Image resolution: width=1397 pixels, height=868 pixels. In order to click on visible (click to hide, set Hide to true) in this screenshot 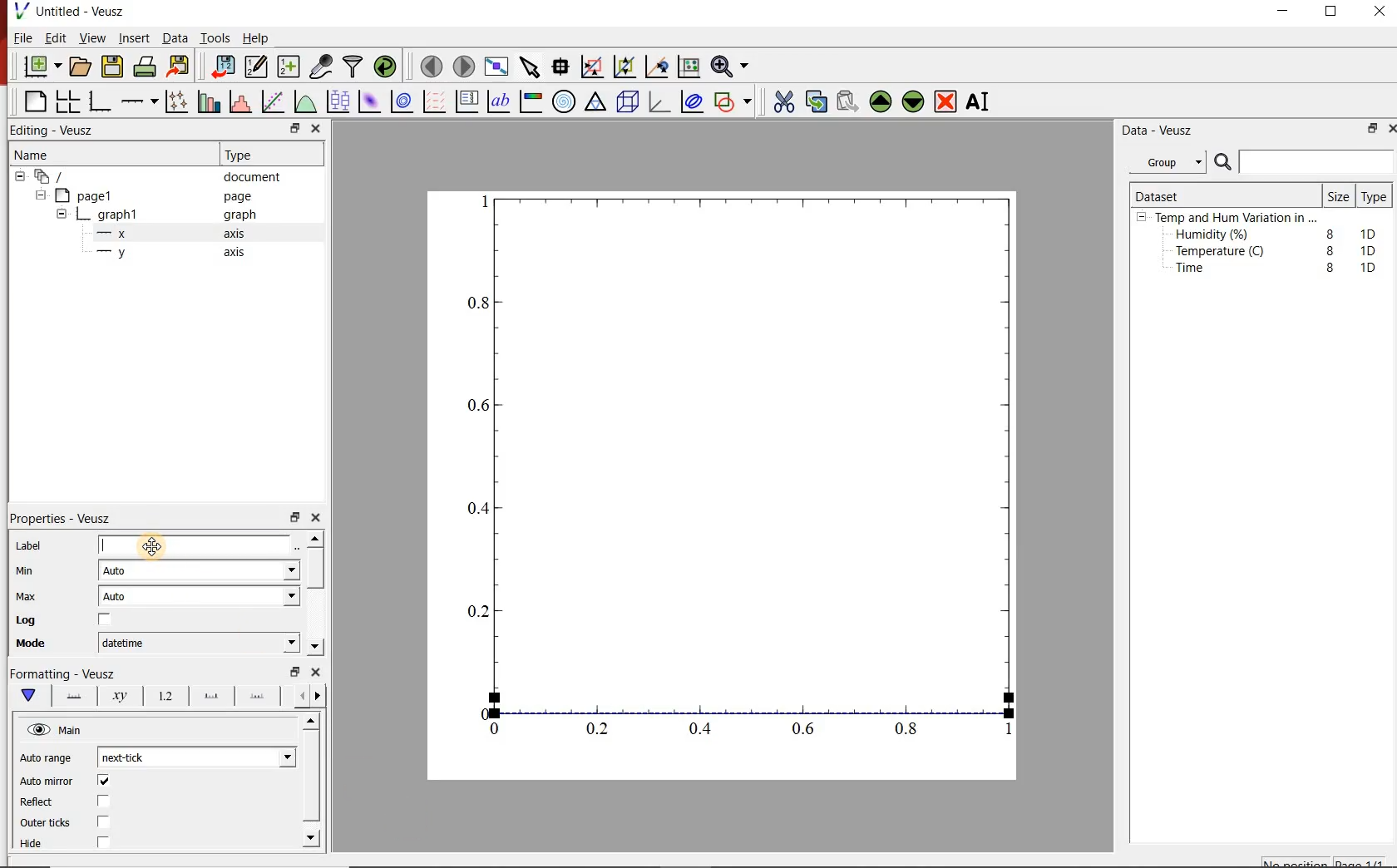, I will do `click(37, 731)`.